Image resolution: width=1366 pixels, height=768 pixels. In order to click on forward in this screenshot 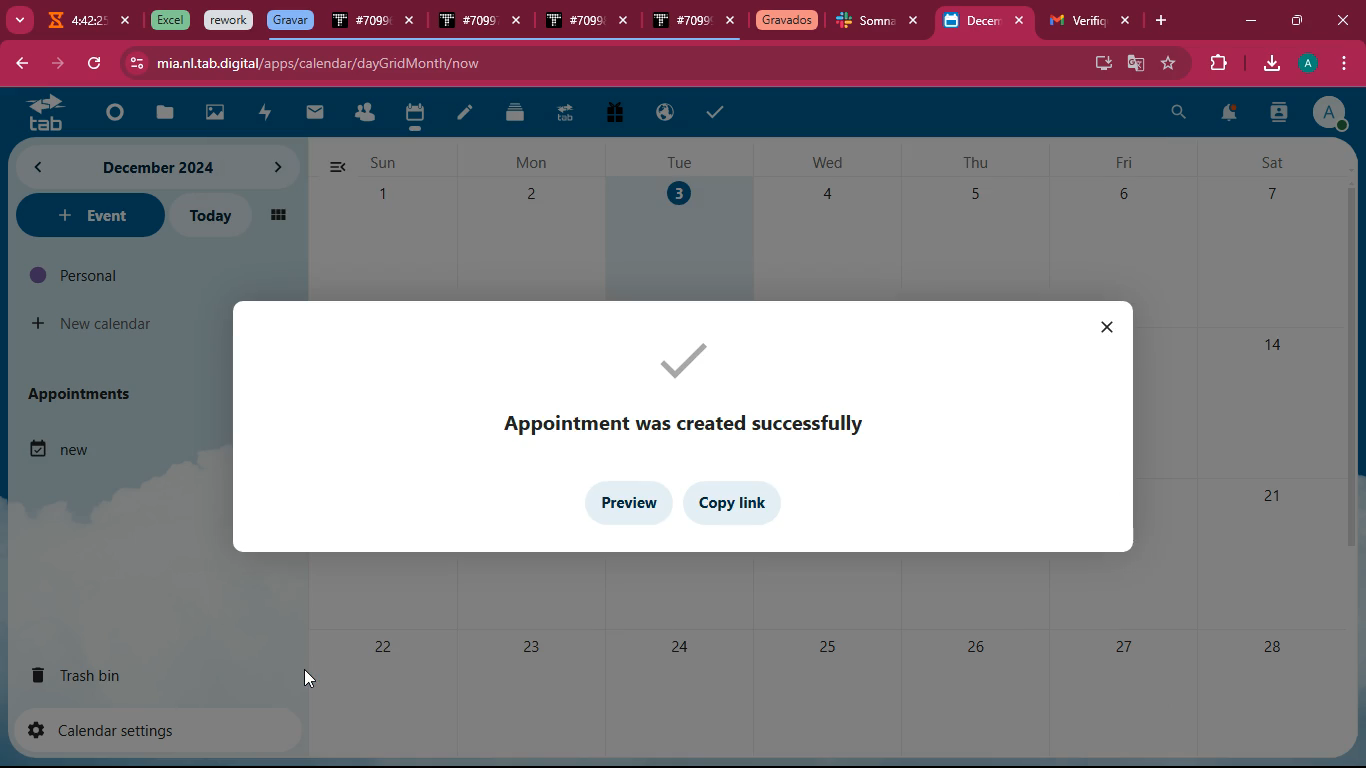, I will do `click(55, 64)`.